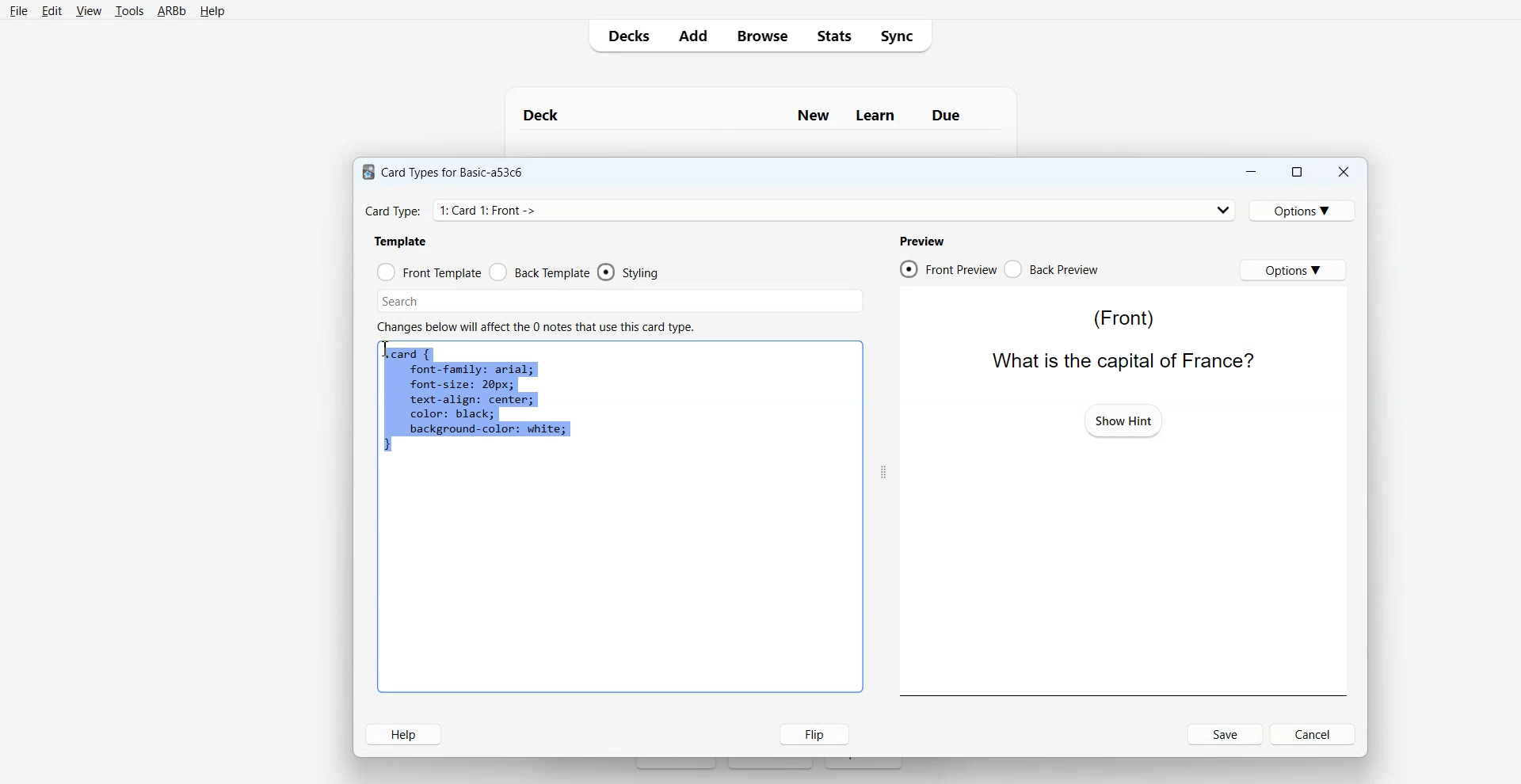 This screenshot has height=784, width=1521. What do you see at coordinates (947, 269) in the screenshot?
I see `Front Preview` at bounding box center [947, 269].